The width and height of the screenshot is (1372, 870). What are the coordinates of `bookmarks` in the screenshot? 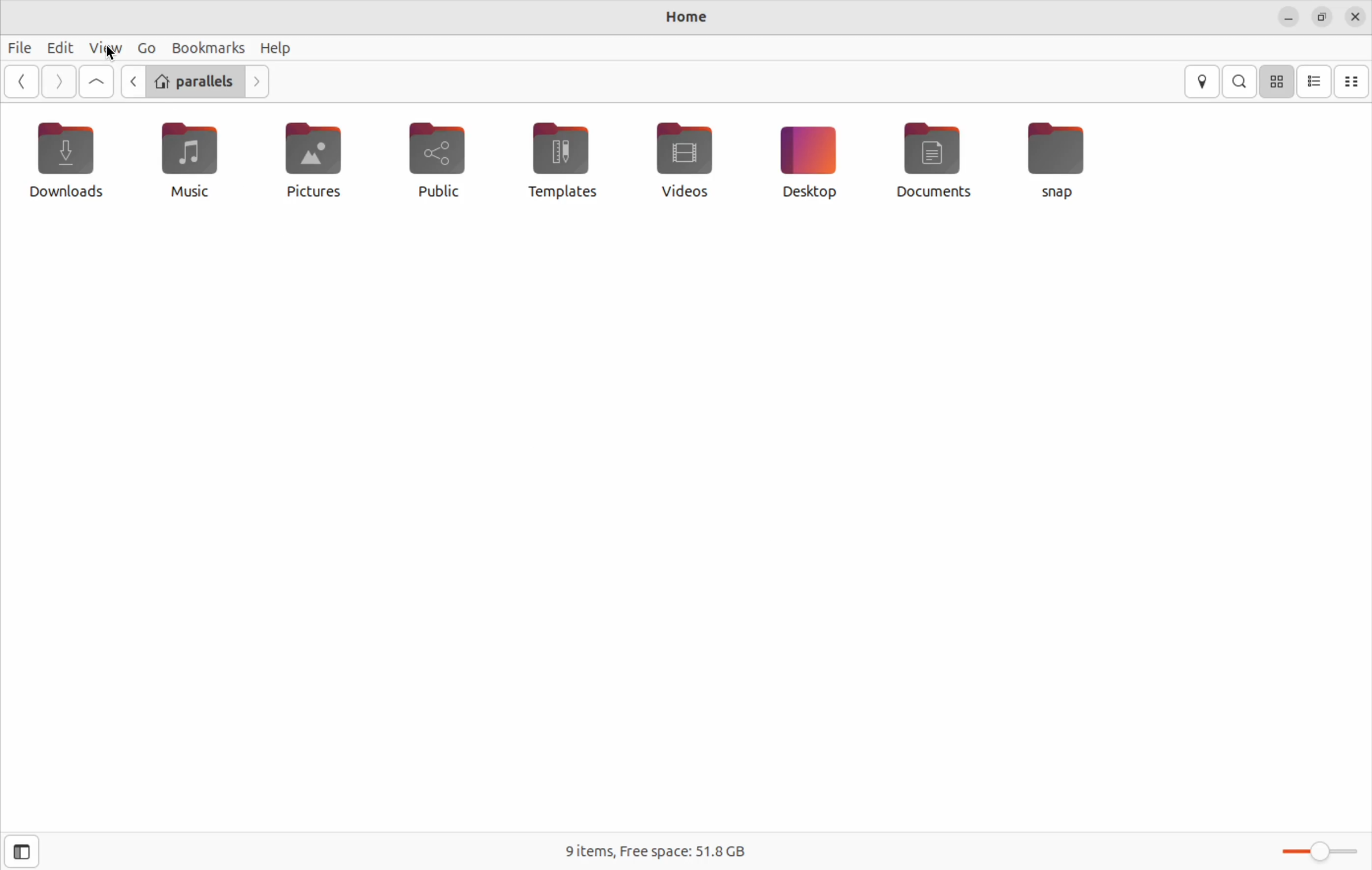 It's located at (208, 47).